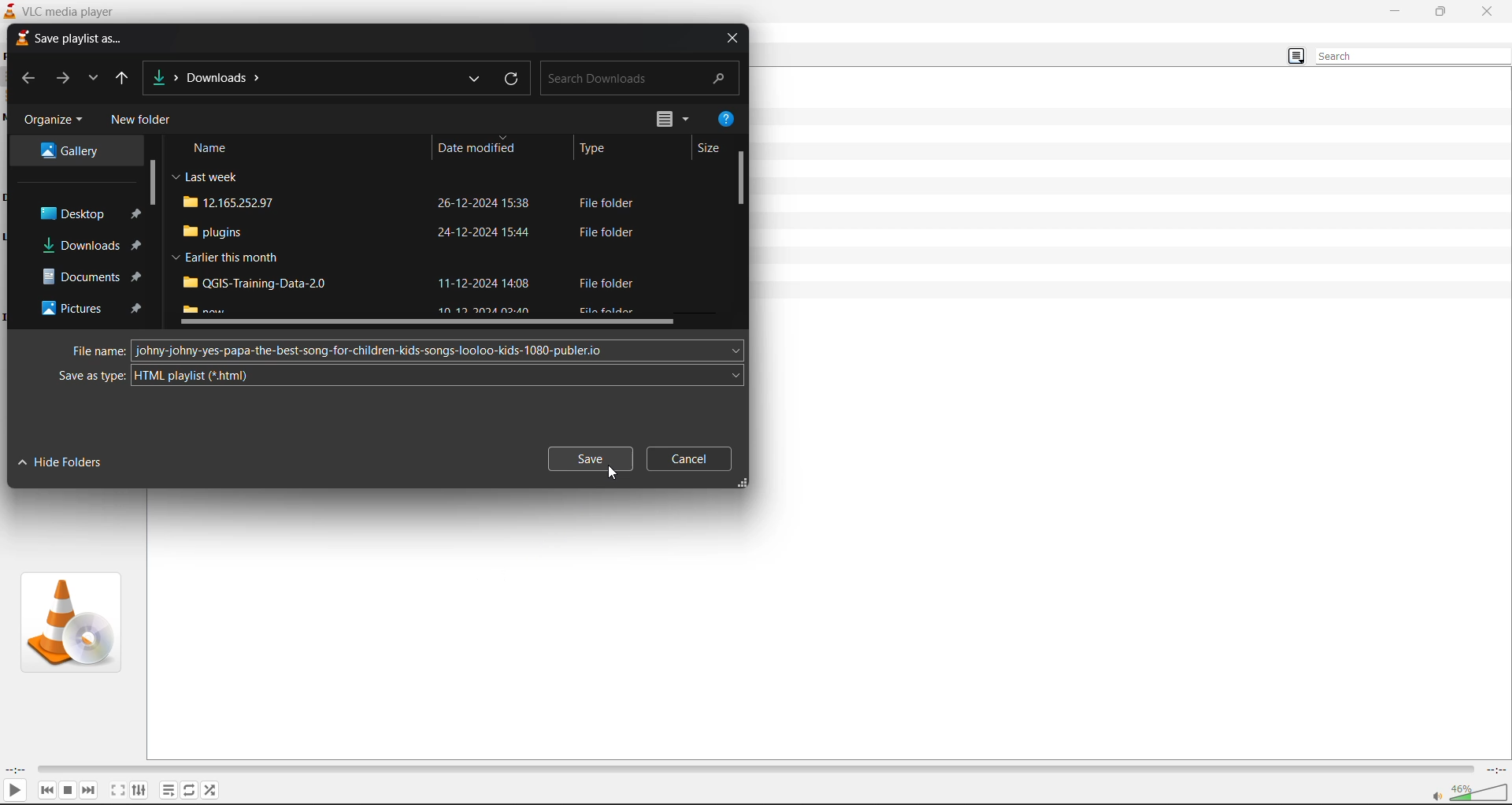 This screenshot has width=1512, height=805. Describe the element at coordinates (69, 621) in the screenshot. I see `thumbnail` at that location.